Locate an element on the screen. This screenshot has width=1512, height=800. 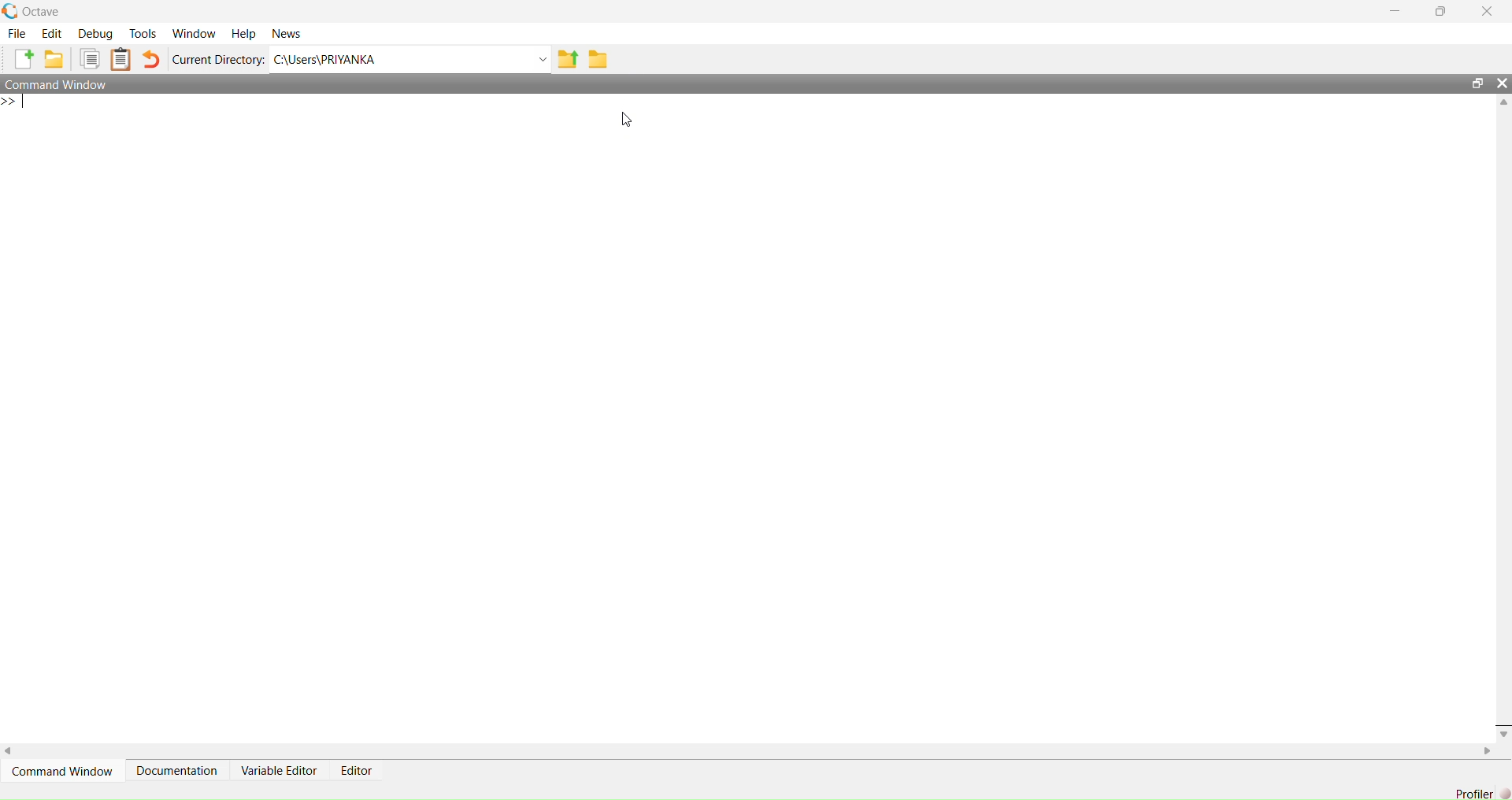
Documentation is located at coordinates (179, 770).